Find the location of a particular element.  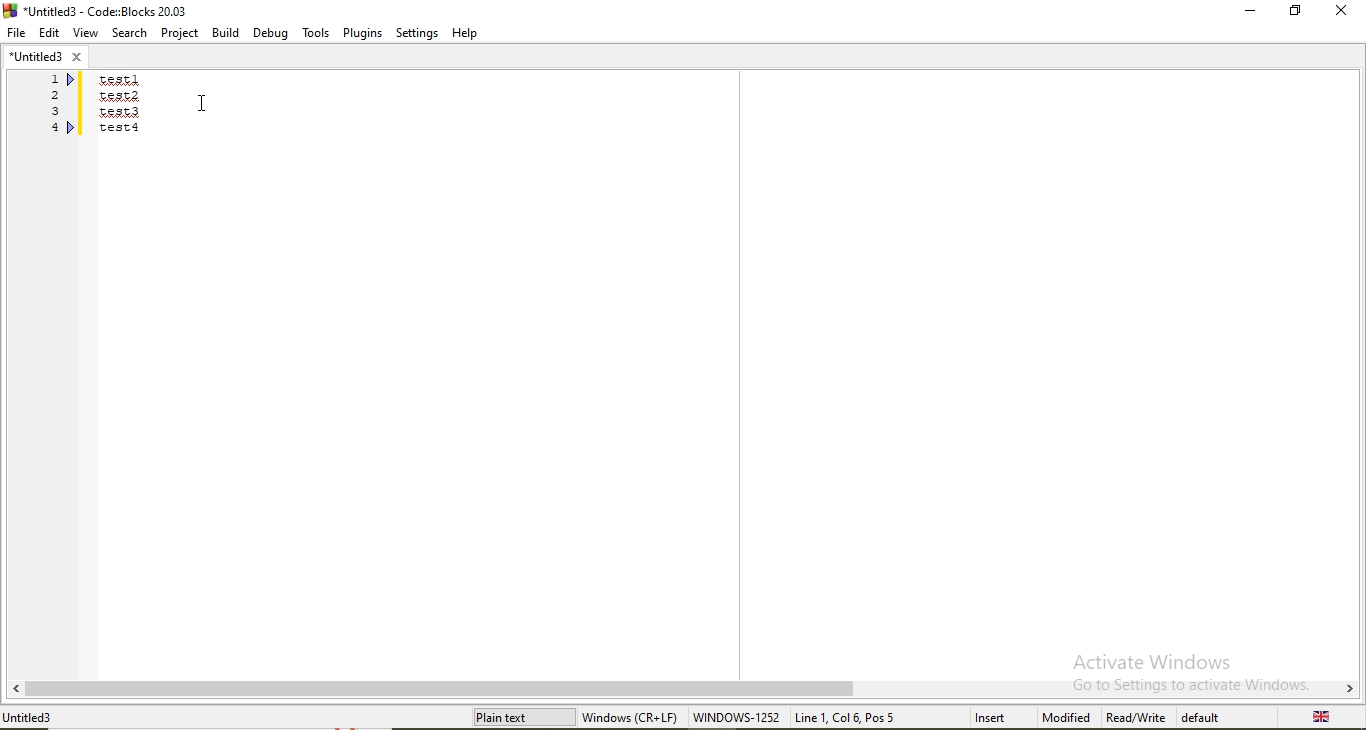

Read/Write is located at coordinates (1138, 717).